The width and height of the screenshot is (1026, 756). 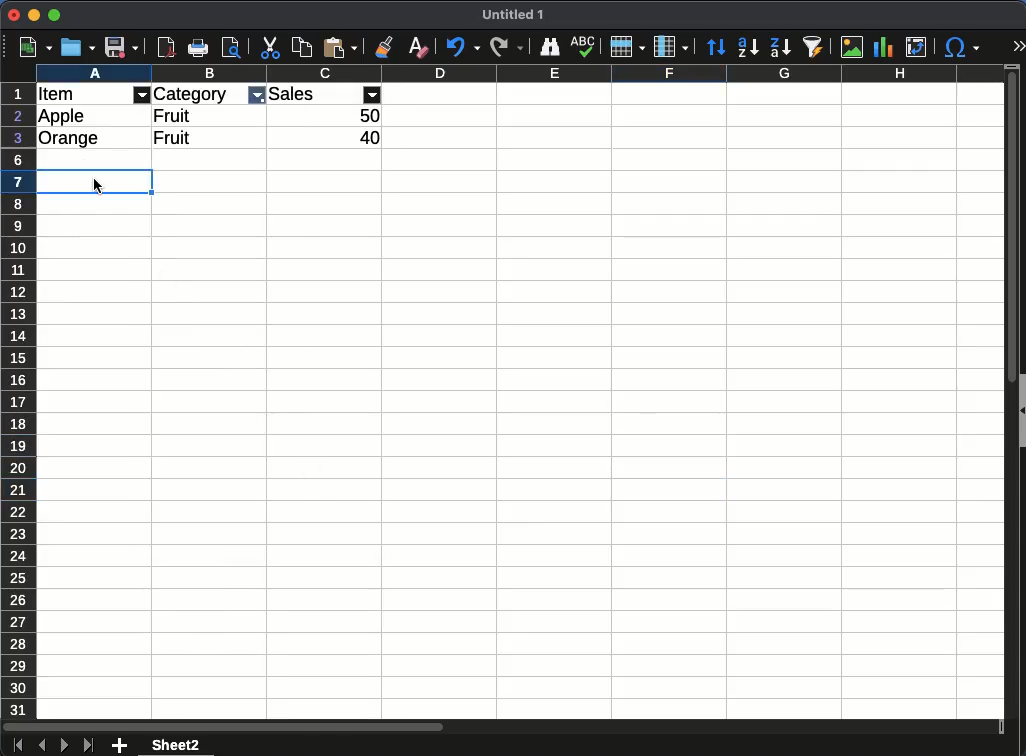 I want to click on print, so click(x=231, y=46).